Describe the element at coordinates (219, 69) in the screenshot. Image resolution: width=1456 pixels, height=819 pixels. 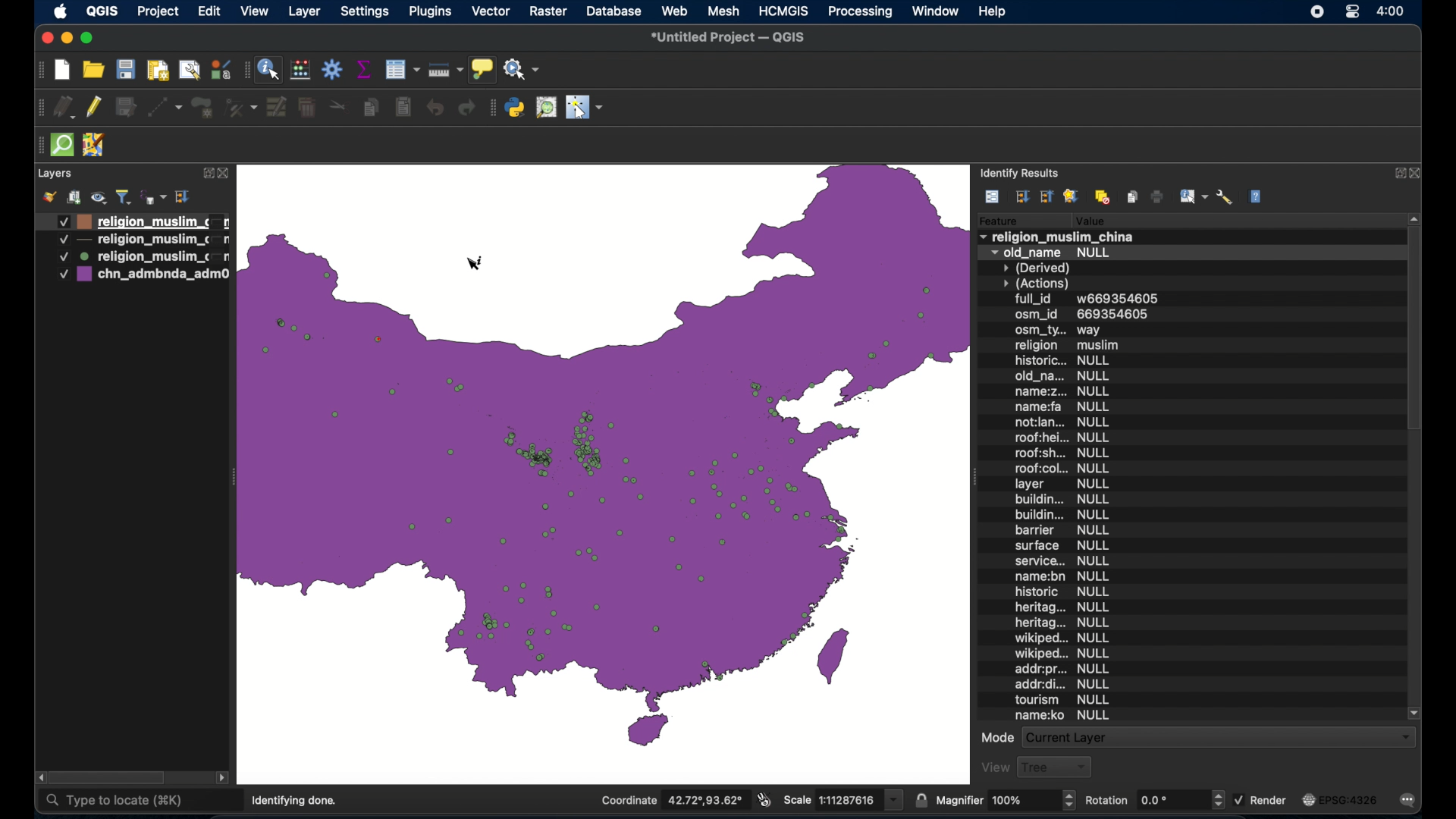
I see `styling manager` at that location.